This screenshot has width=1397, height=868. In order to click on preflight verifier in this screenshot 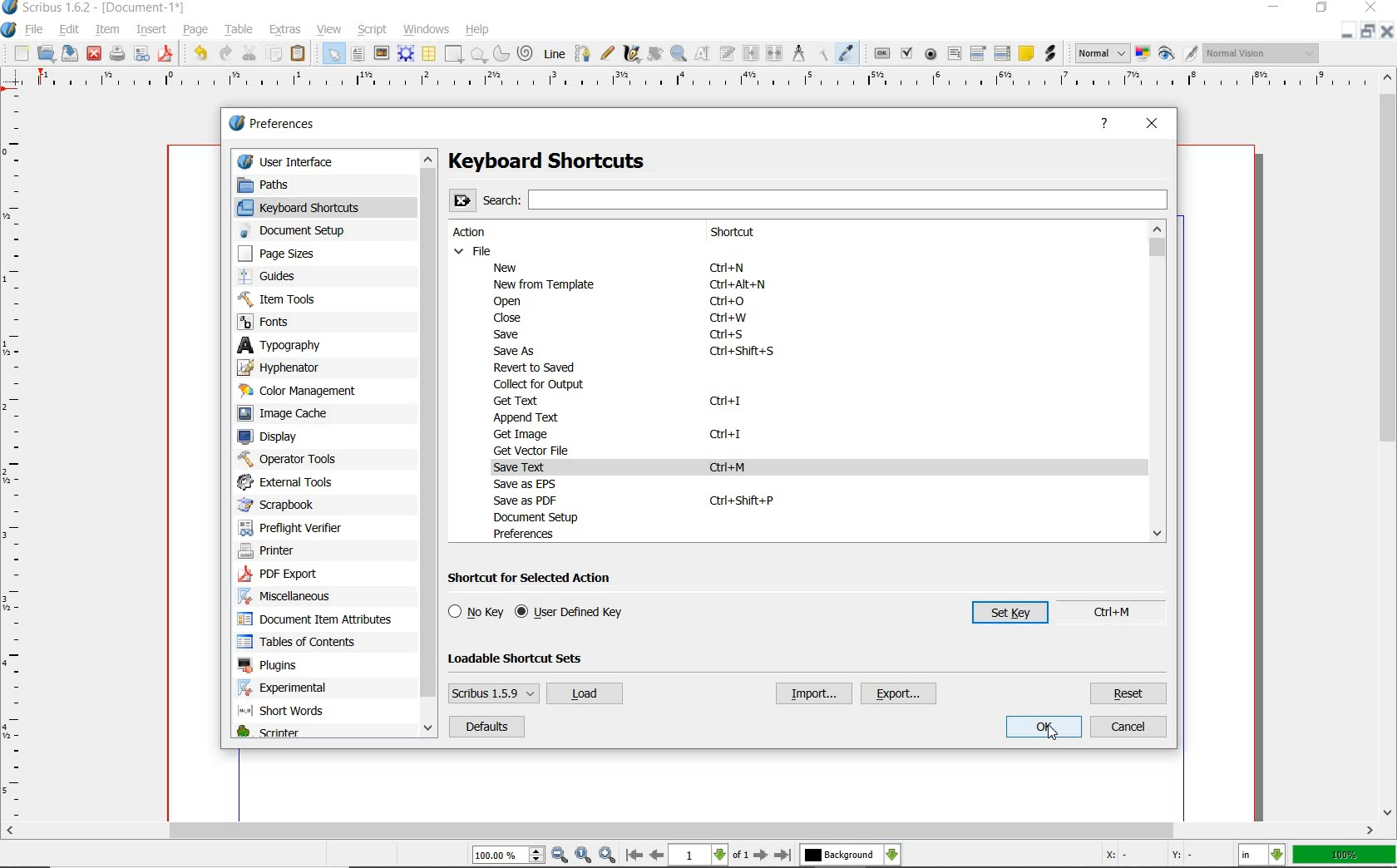, I will do `click(116, 55)`.